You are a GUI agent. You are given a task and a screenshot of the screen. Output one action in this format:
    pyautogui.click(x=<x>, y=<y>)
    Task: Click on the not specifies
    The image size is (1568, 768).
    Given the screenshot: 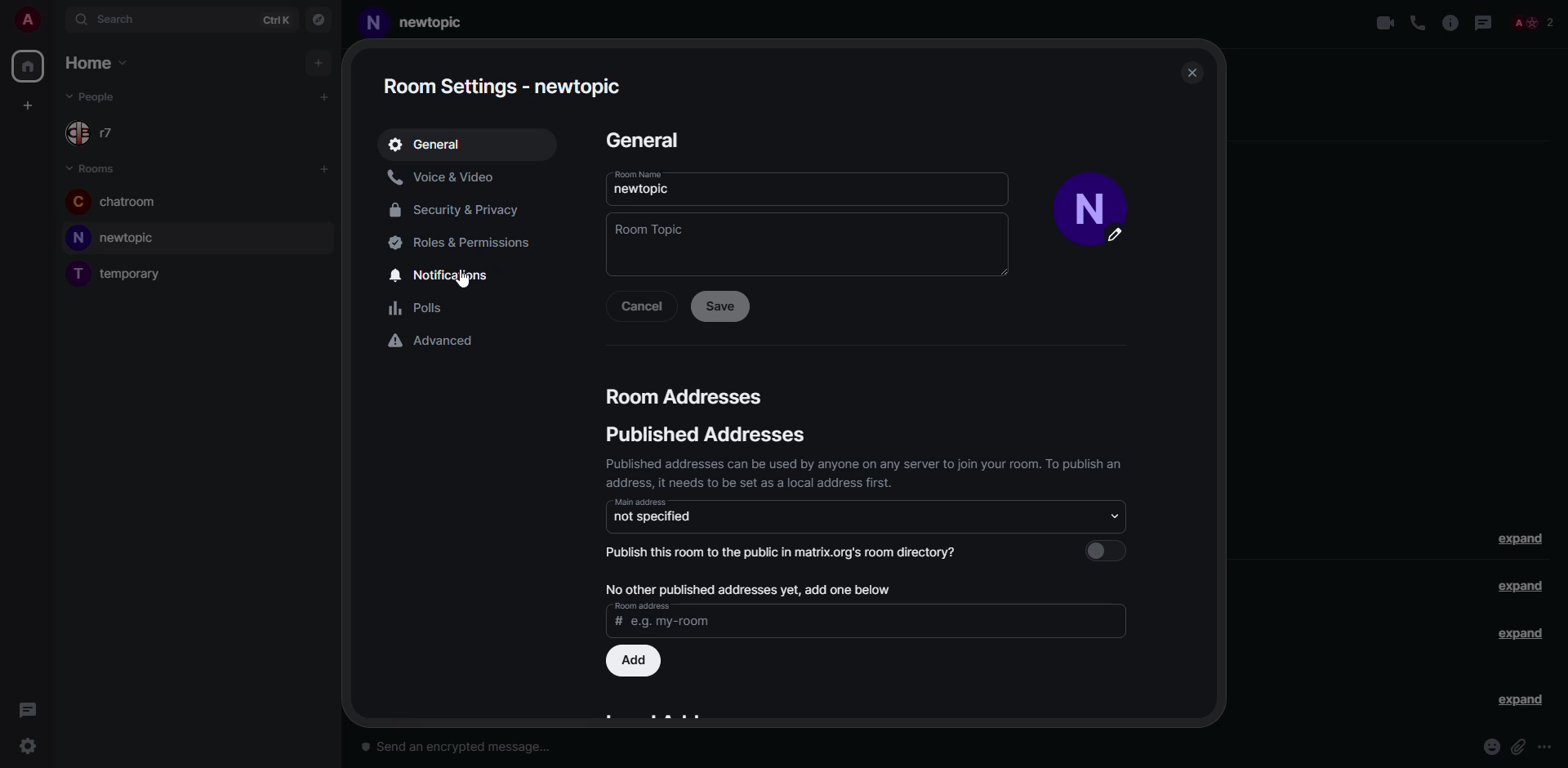 What is the action you would take?
    pyautogui.click(x=653, y=519)
    